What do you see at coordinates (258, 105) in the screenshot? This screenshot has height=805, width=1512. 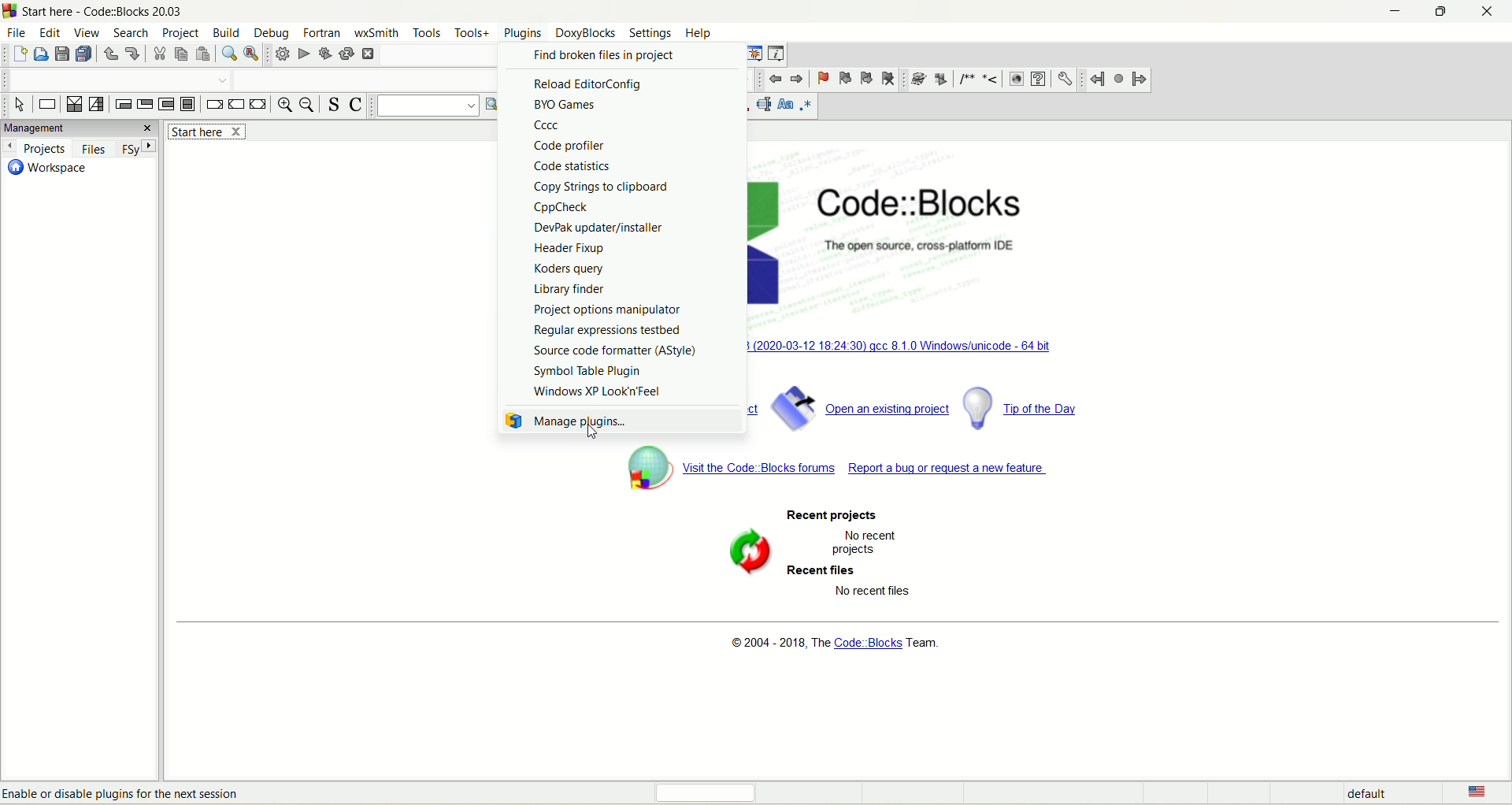 I see `return instruction` at bounding box center [258, 105].